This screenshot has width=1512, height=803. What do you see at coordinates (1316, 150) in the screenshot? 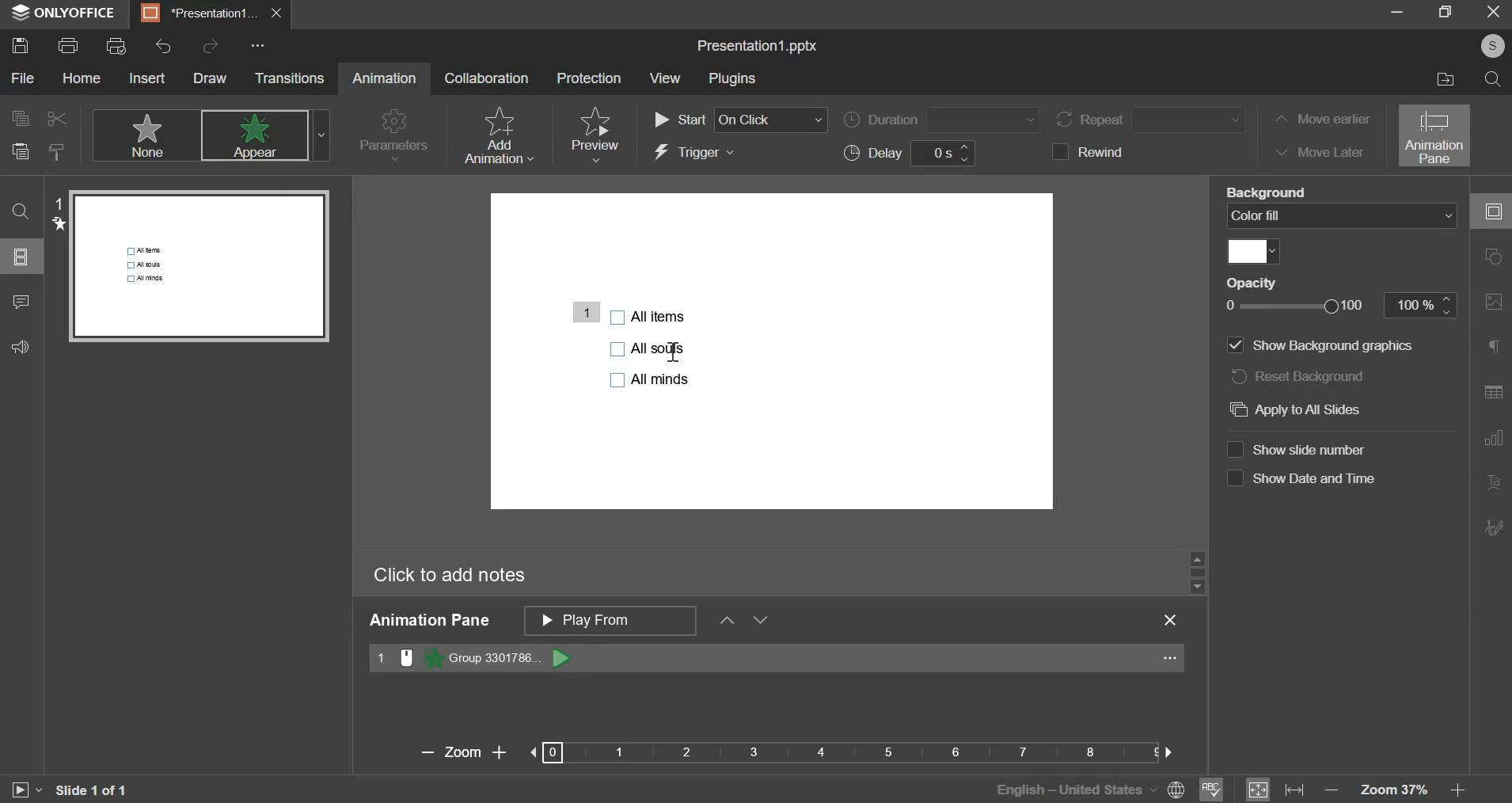
I see `move later` at bounding box center [1316, 150].